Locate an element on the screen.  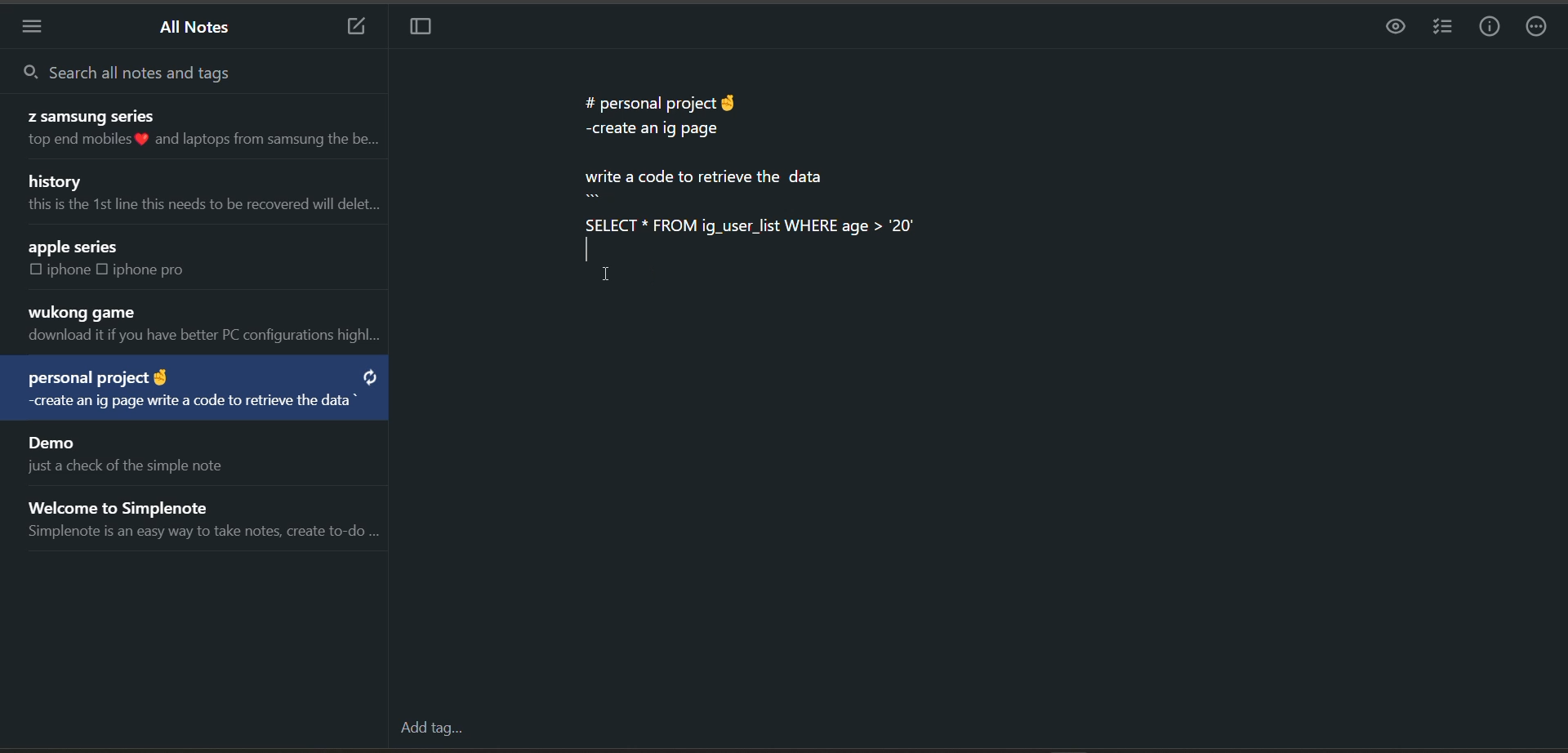
add tag is located at coordinates (429, 730).